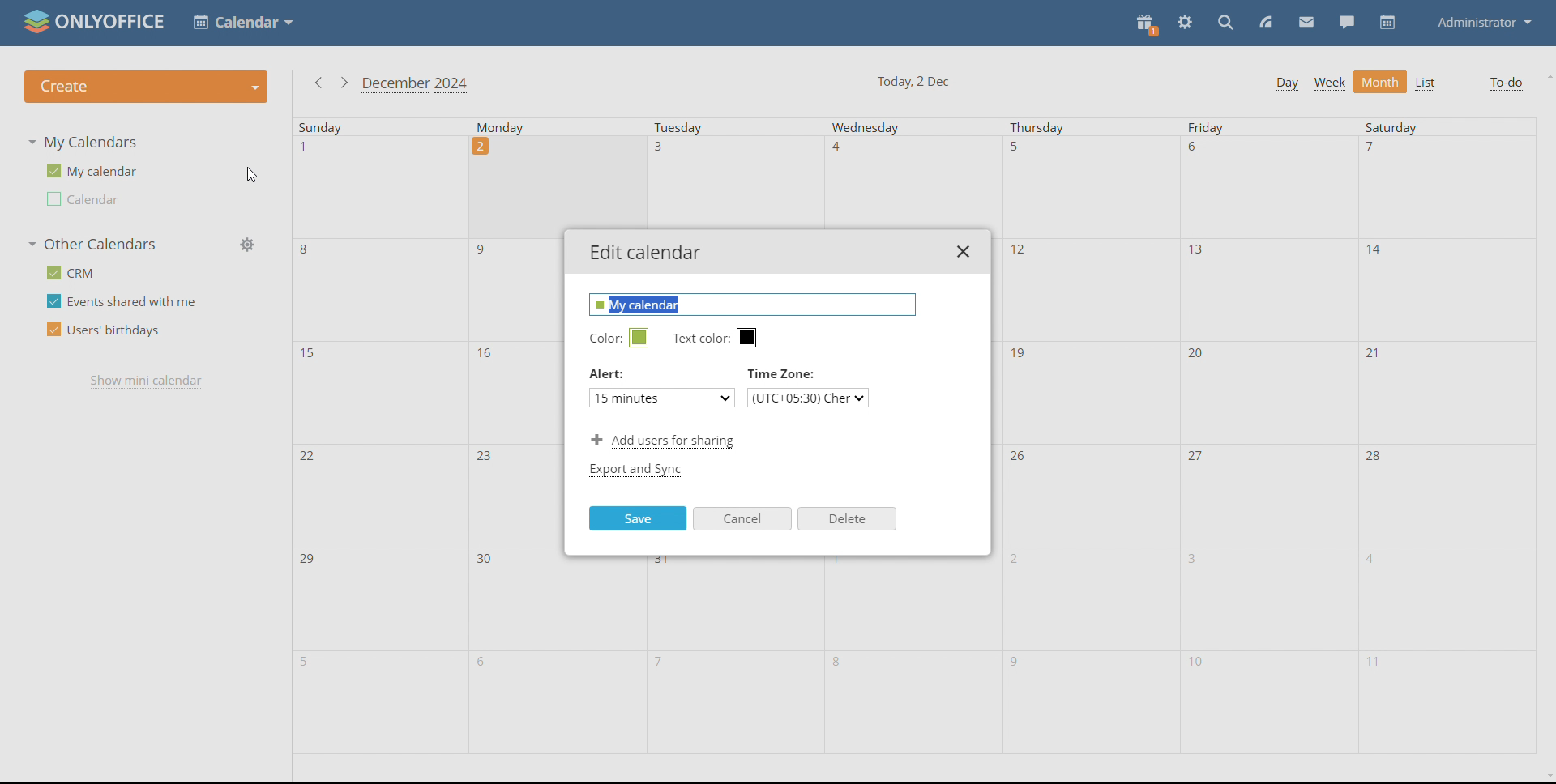 Image resolution: width=1556 pixels, height=784 pixels. Describe the element at coordinates (92, 171) in the screenshot. I see `my calendar` at that location.